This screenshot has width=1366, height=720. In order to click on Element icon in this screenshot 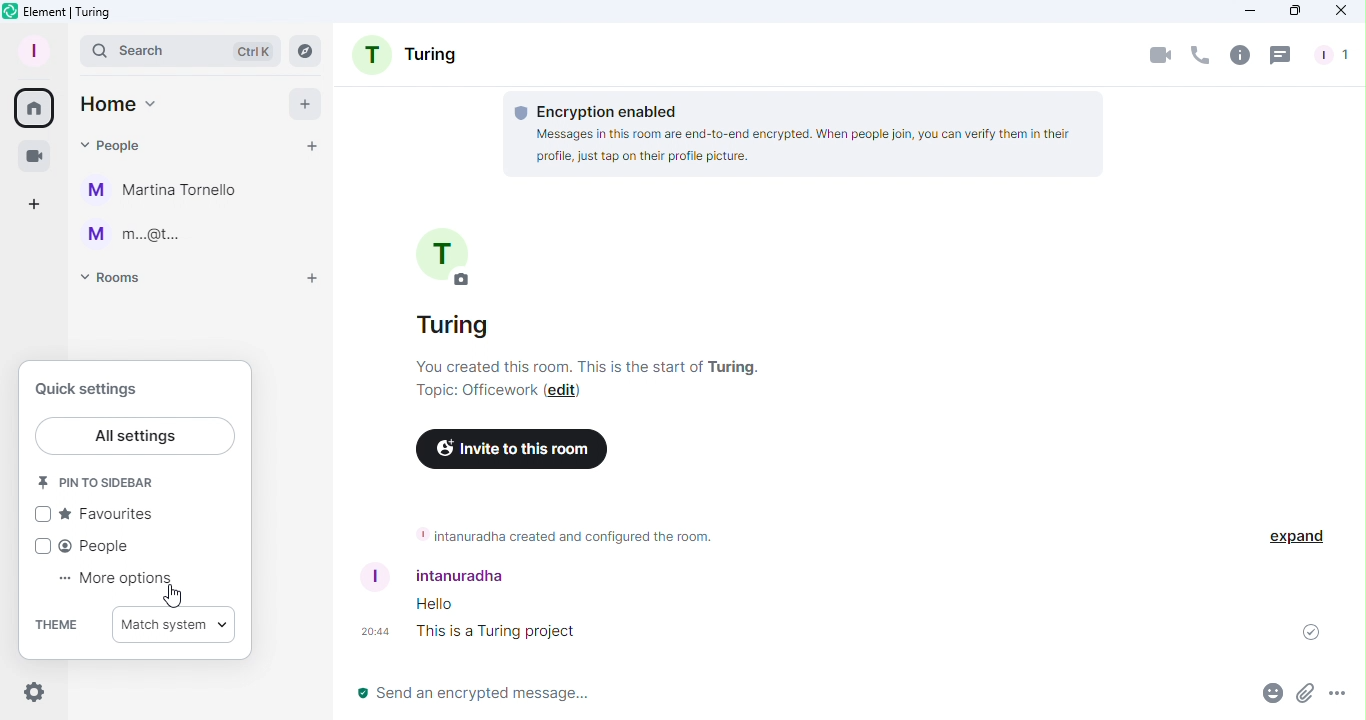, I will do `click(84, 13)`.